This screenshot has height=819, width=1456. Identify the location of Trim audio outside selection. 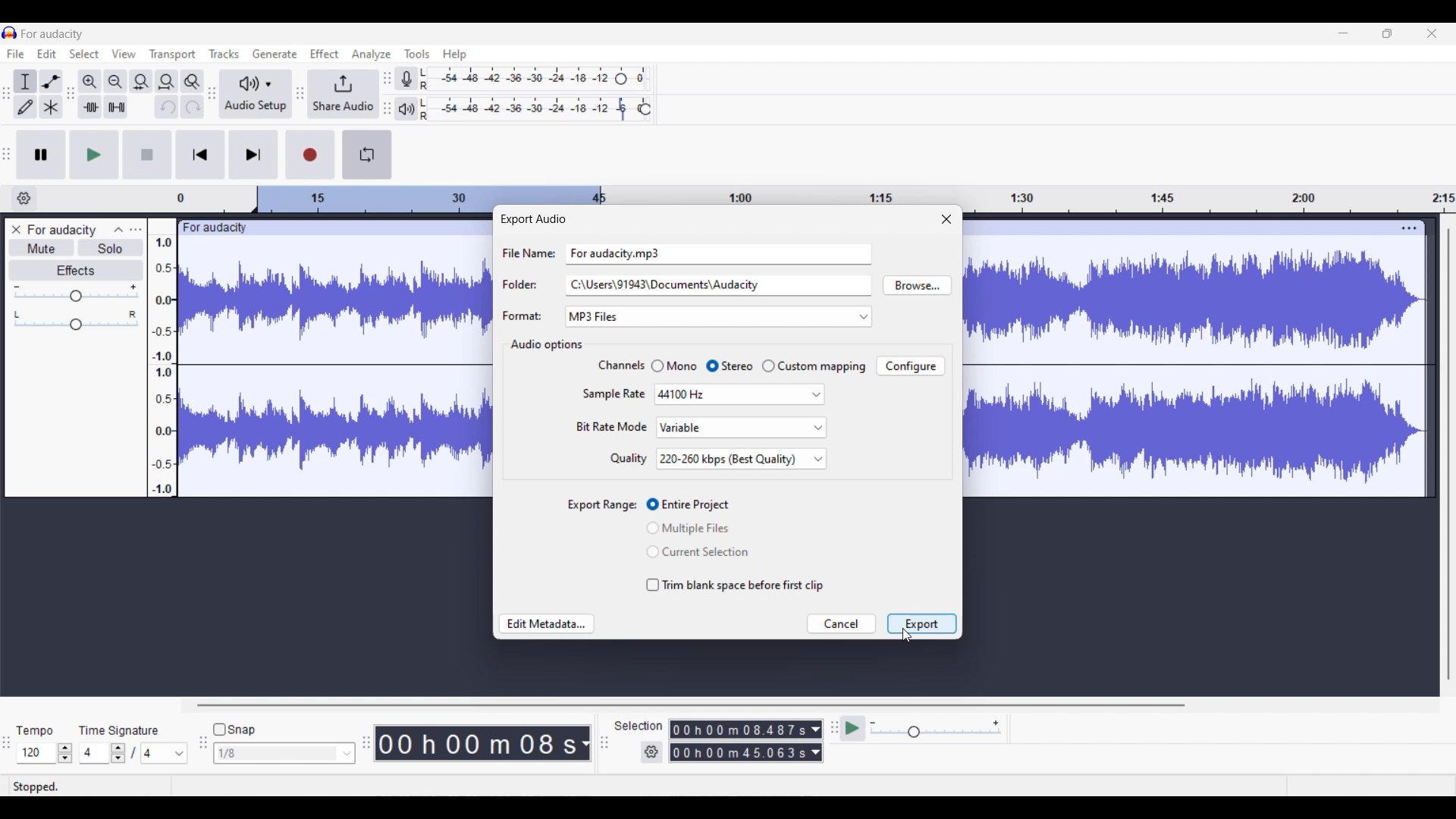
(90, 107).